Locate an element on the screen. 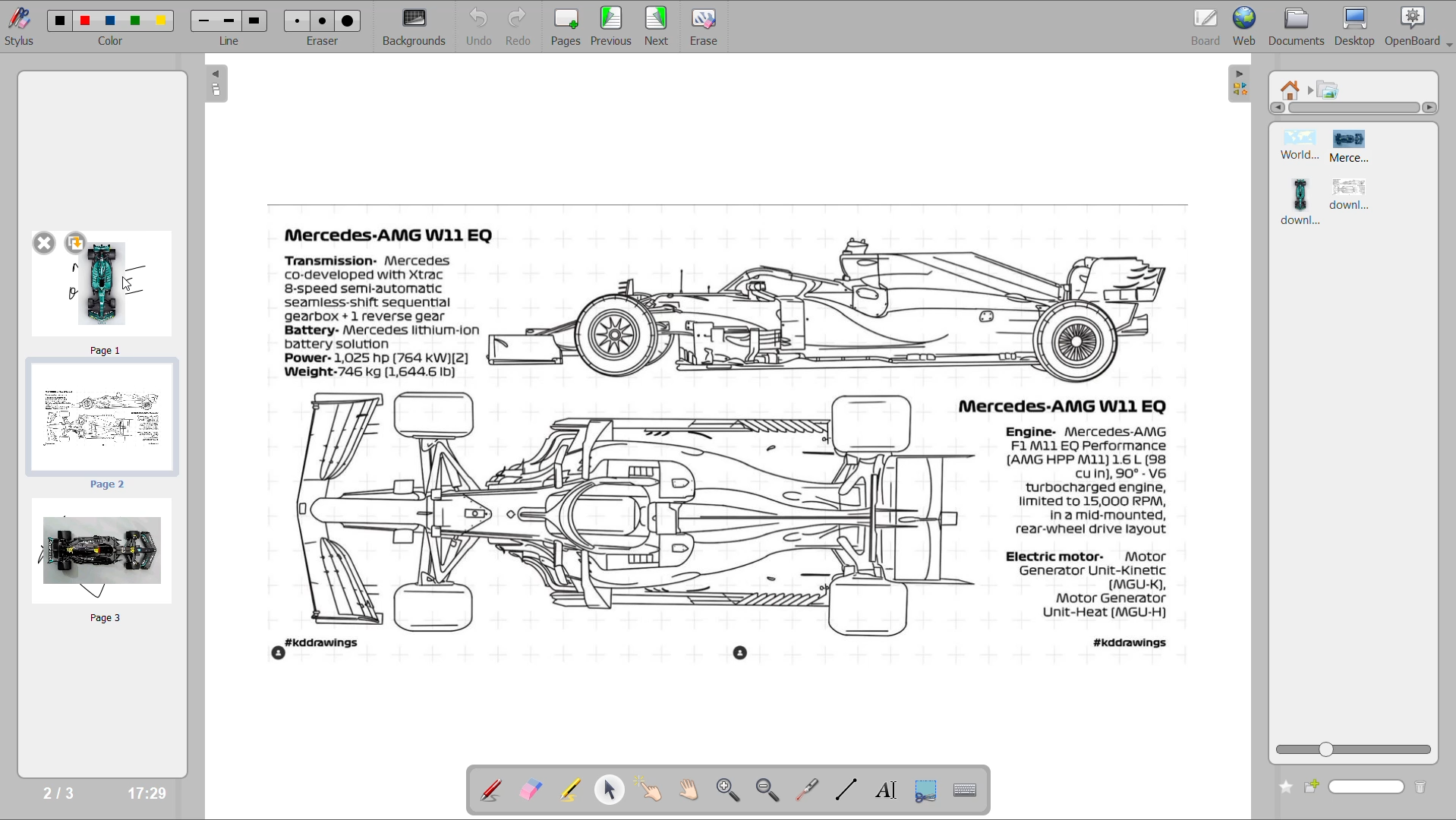 Image resolution: width=1456 pixels, height=820 pixels. Large line is located at coordinates (257, 19).